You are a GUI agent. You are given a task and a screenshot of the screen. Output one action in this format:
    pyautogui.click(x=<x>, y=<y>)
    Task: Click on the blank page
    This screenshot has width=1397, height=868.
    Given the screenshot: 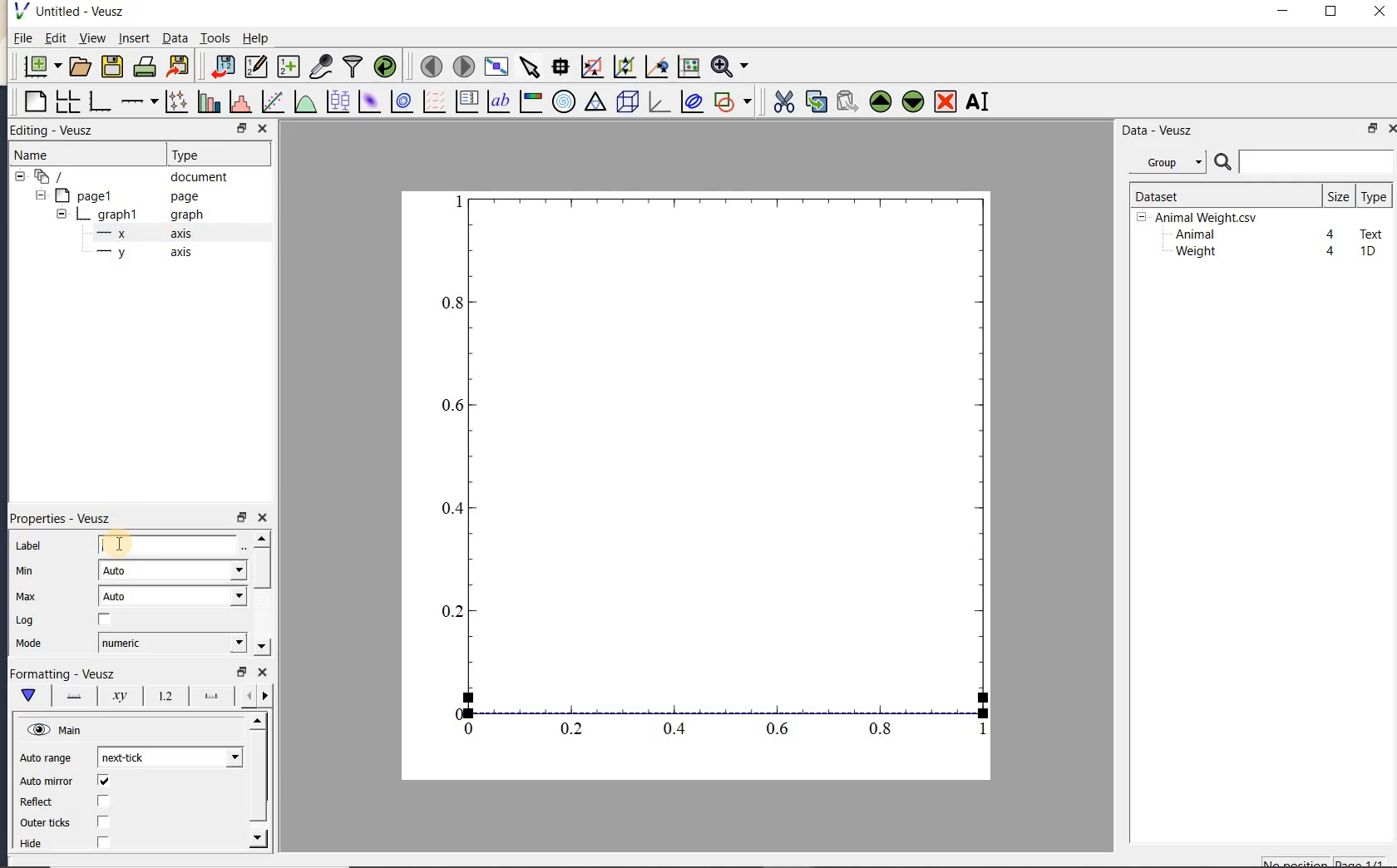 What is the action you would take?
    pyautogui.click(x=33, y=102)
    